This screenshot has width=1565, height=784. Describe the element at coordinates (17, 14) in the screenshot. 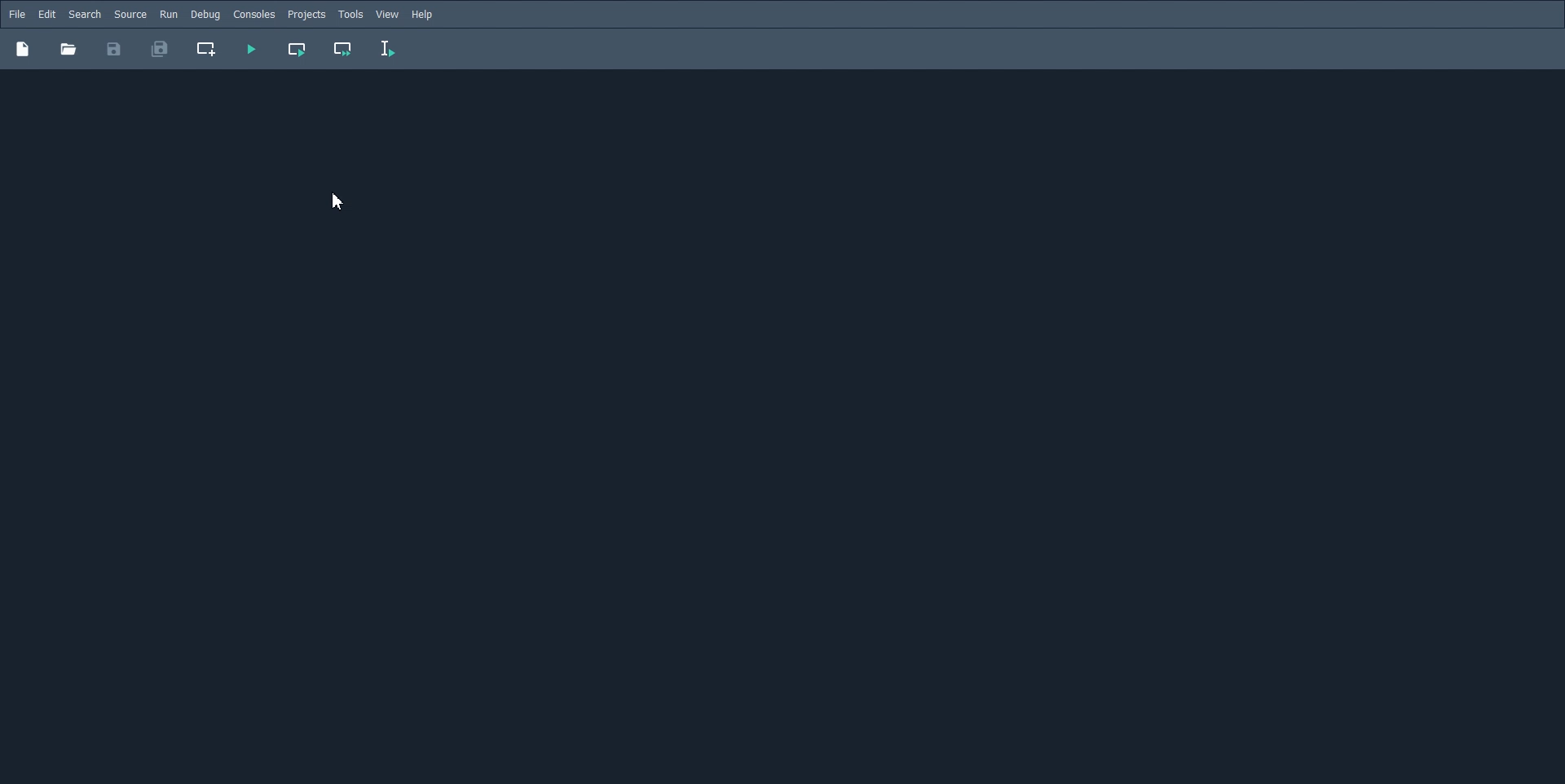

I see `File` at that location.